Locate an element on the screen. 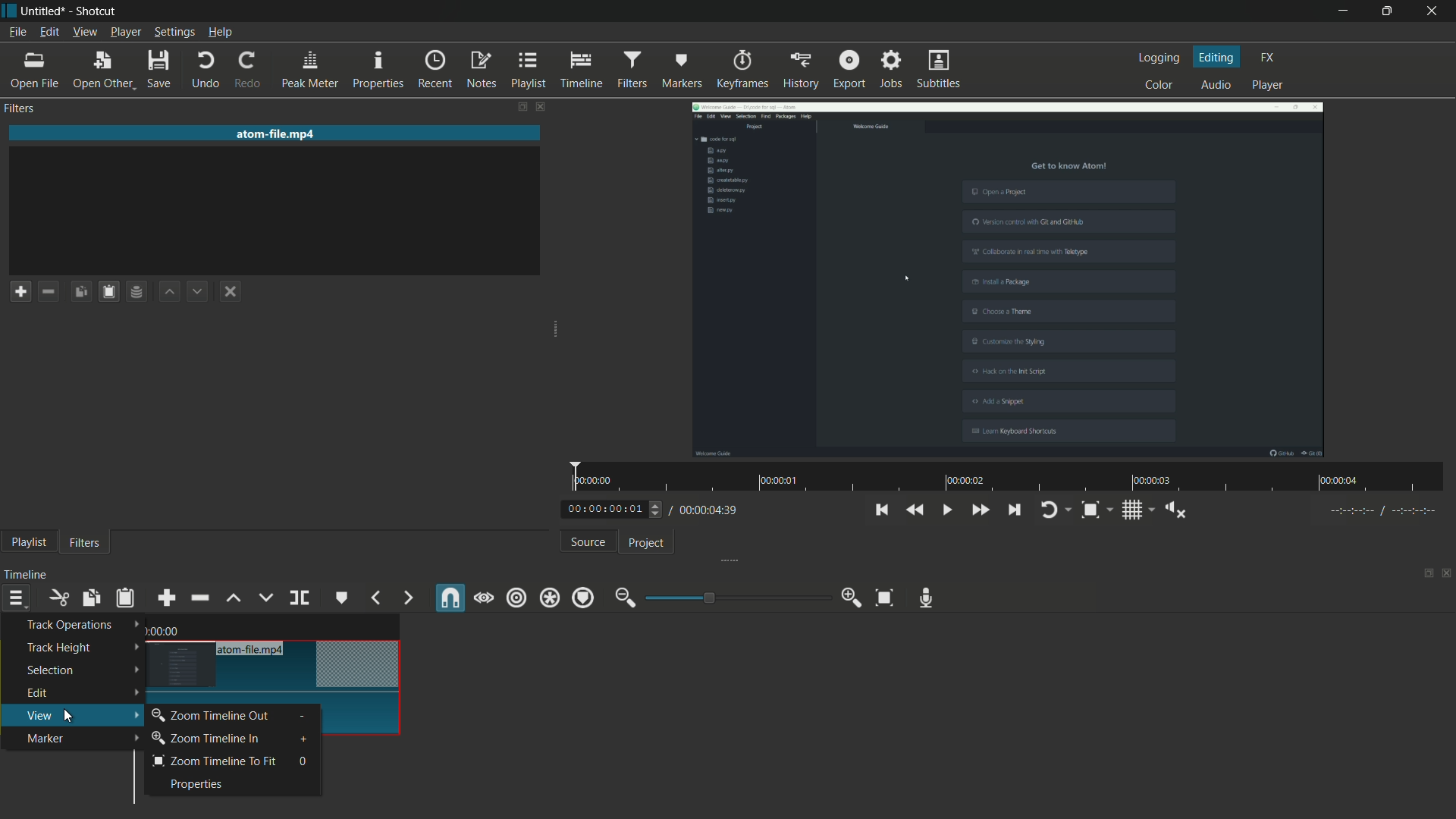  create or edit marker is located at coordinates (342, 598).